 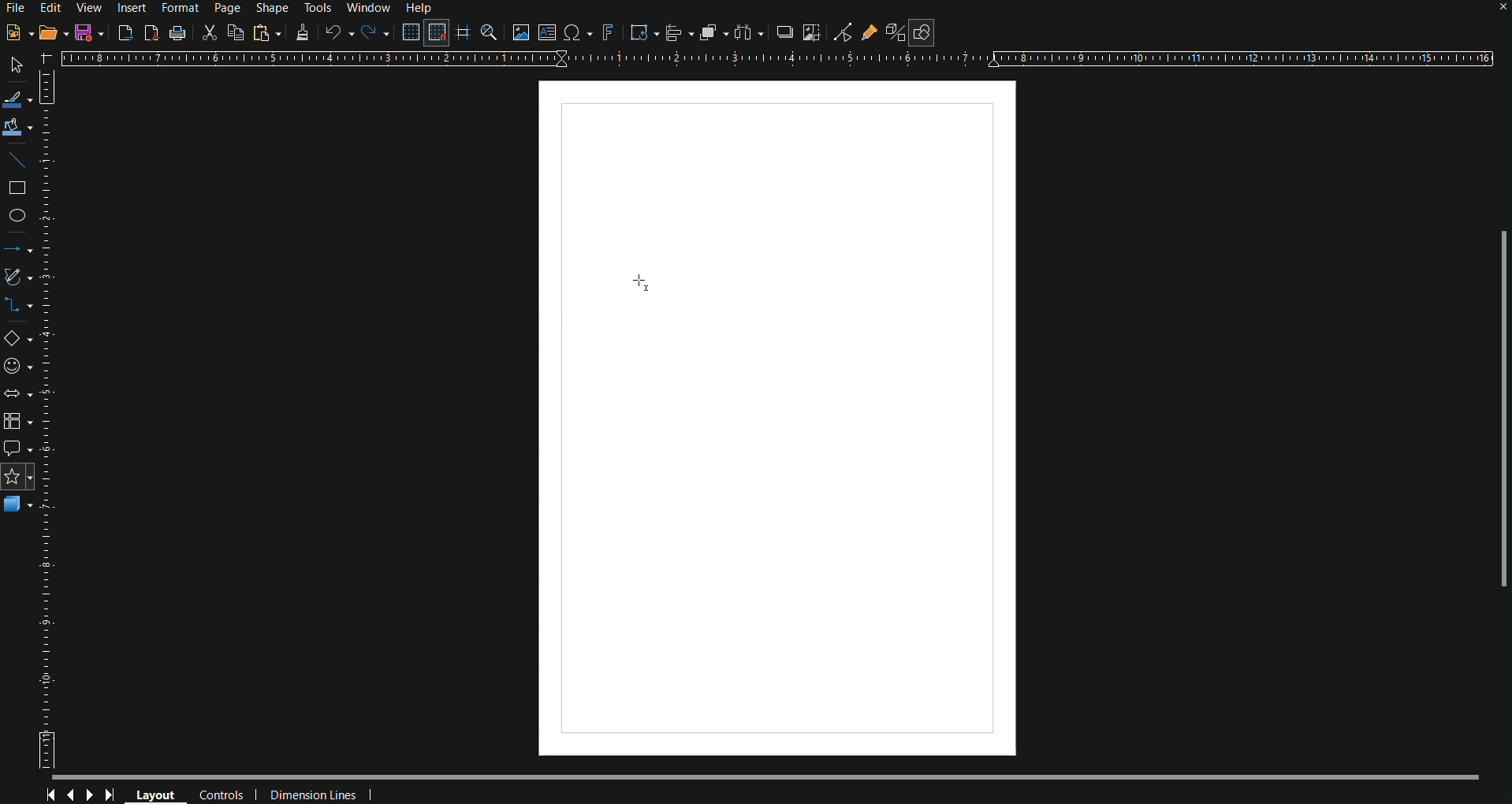 I want to click on Cut, so click(x=207, y=32).